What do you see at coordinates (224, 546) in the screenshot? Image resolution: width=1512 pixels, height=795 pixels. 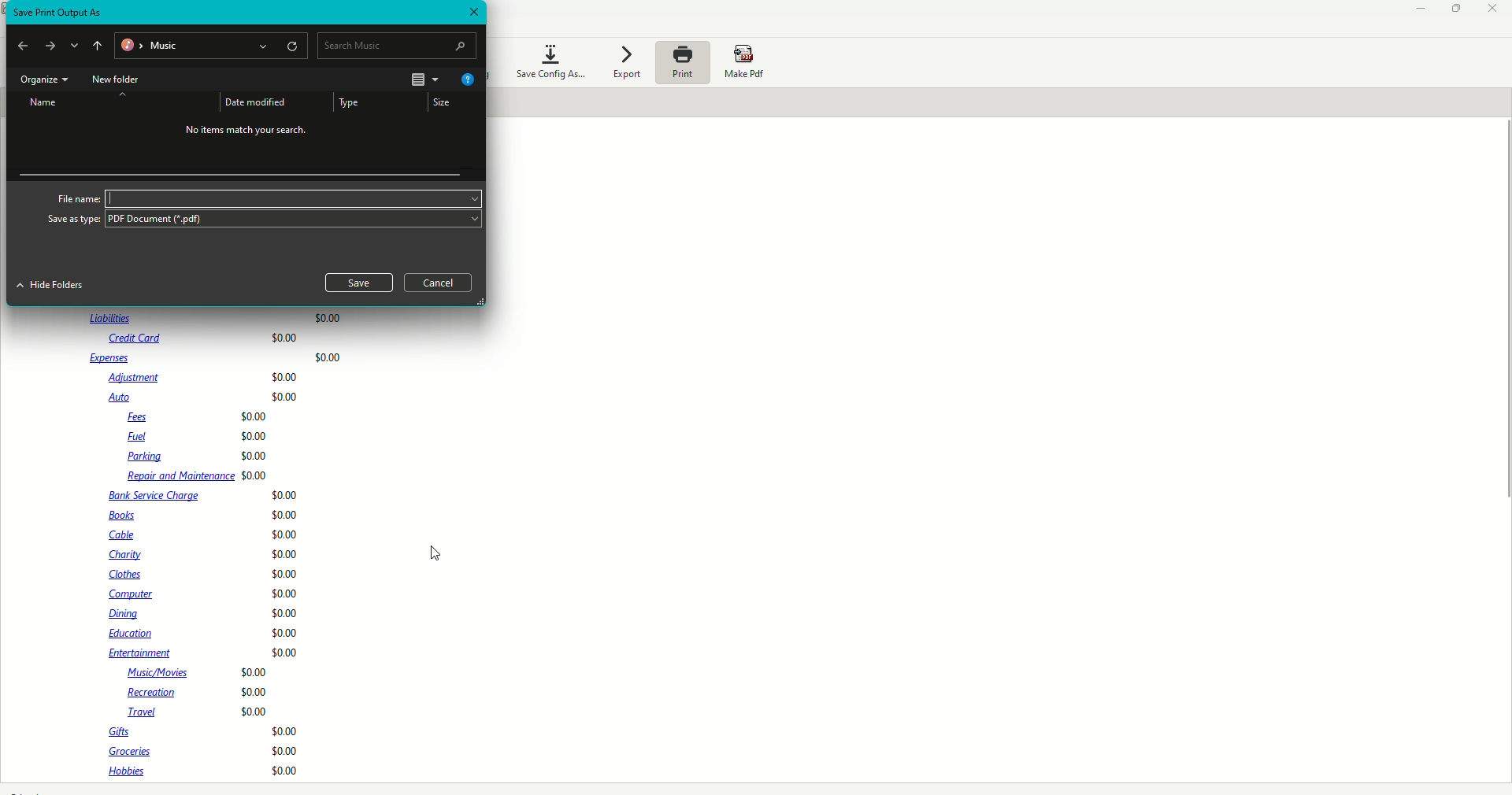 I see `Data` at bounding box center [224, 546].